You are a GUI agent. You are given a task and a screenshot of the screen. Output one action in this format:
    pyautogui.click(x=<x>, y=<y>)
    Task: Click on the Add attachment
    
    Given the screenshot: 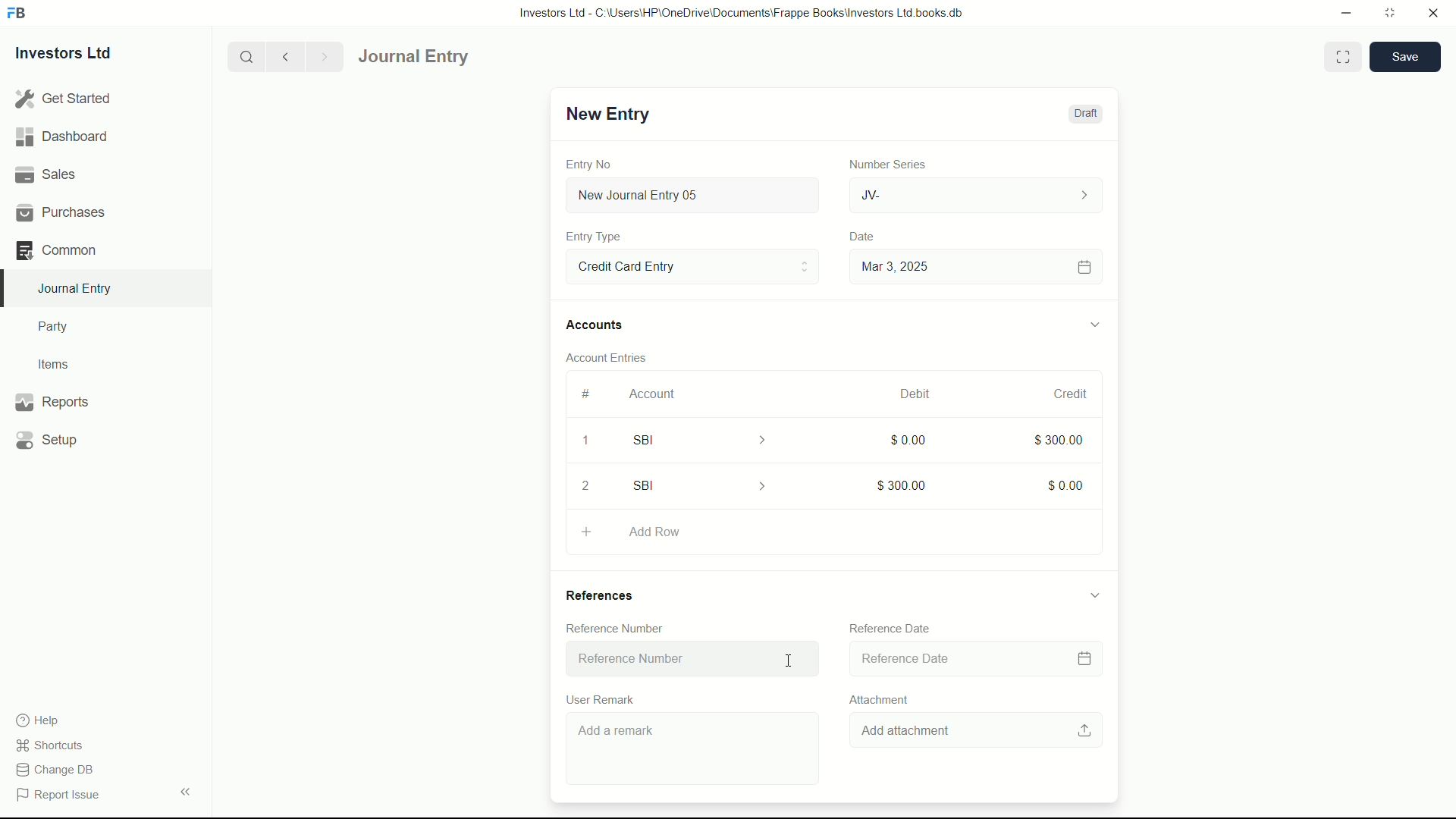 What is the action you would take?
    pyautogui.click(x=977, y=731)
    